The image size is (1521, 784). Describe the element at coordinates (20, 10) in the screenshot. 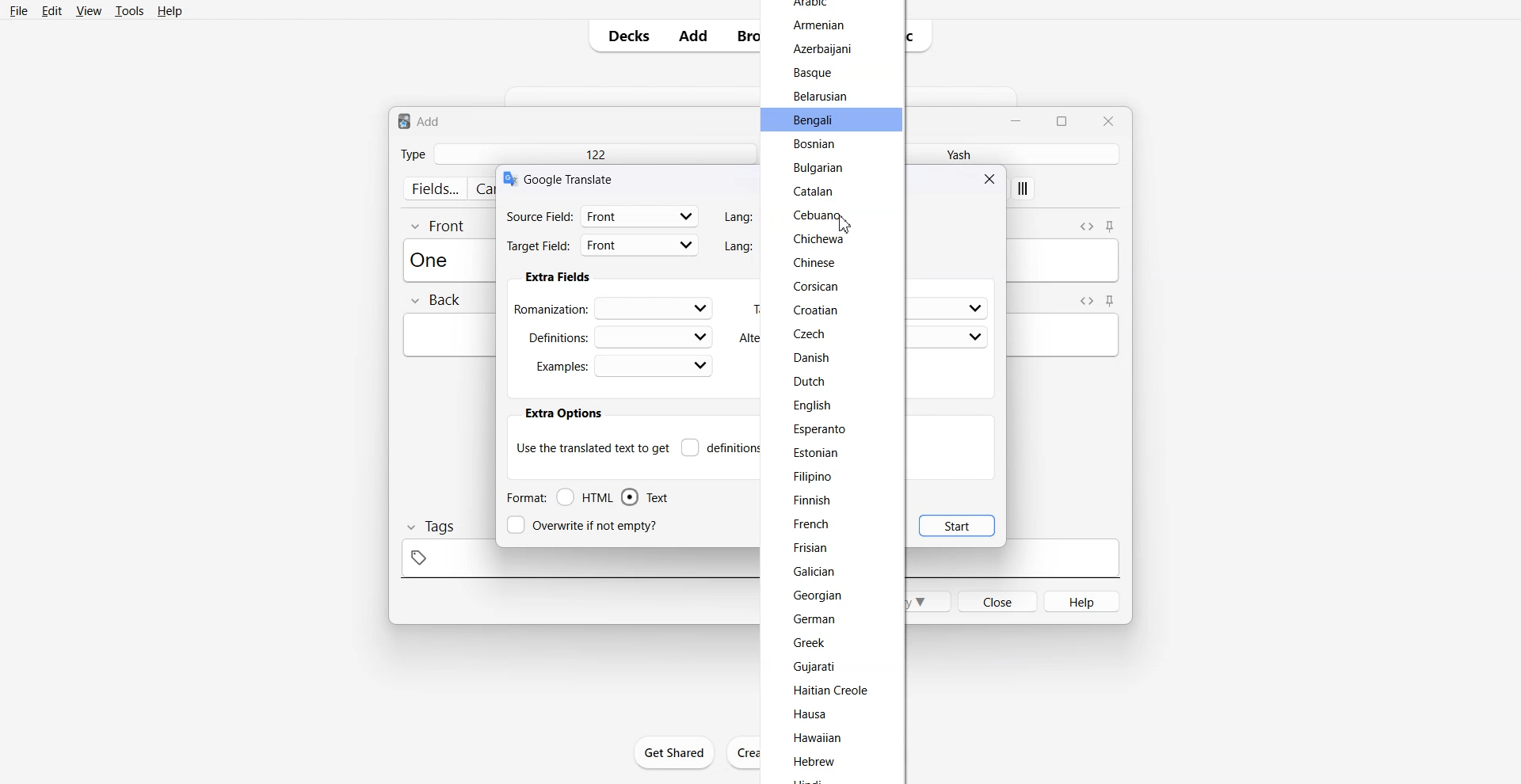

I see `File` at that location.